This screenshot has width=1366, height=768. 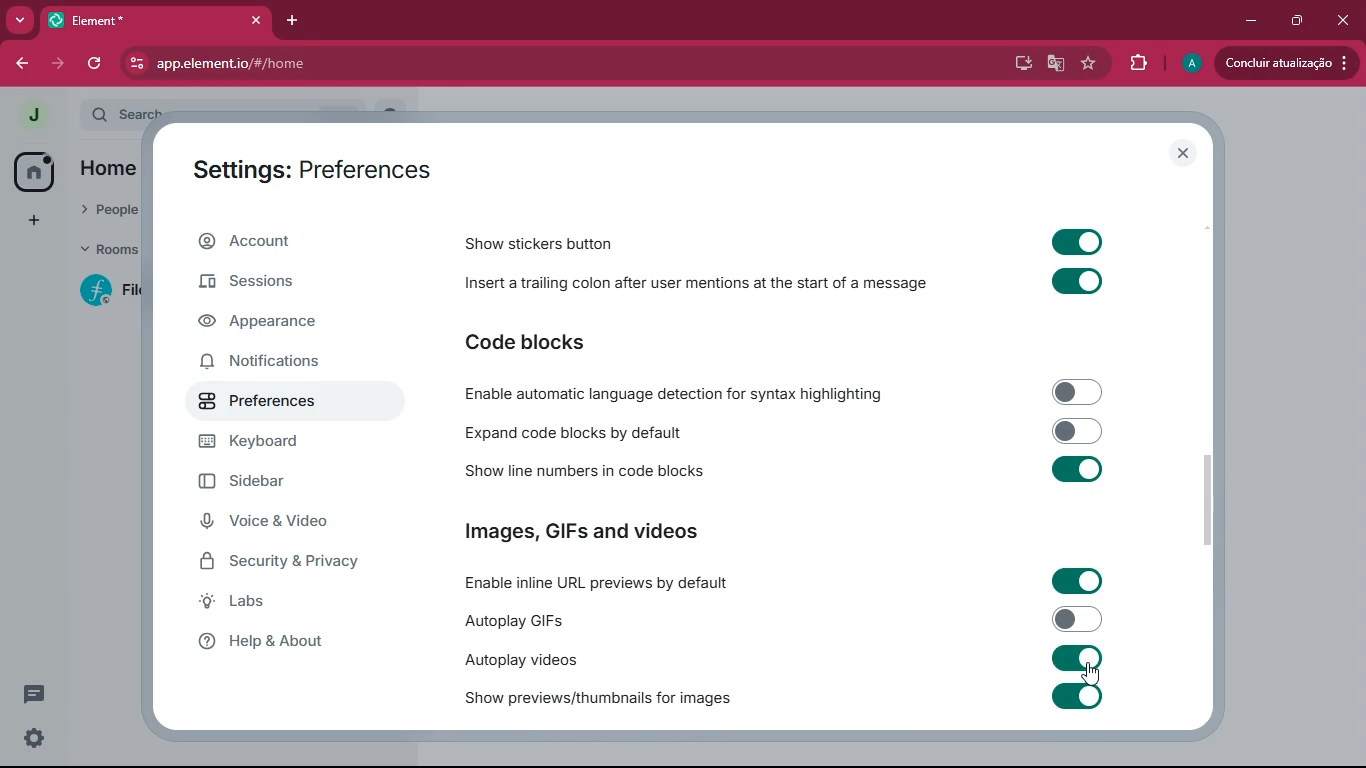 What do you see at coordinates (26, 63) in the screenshot?
I see `back` at bounding box center [26, 63].